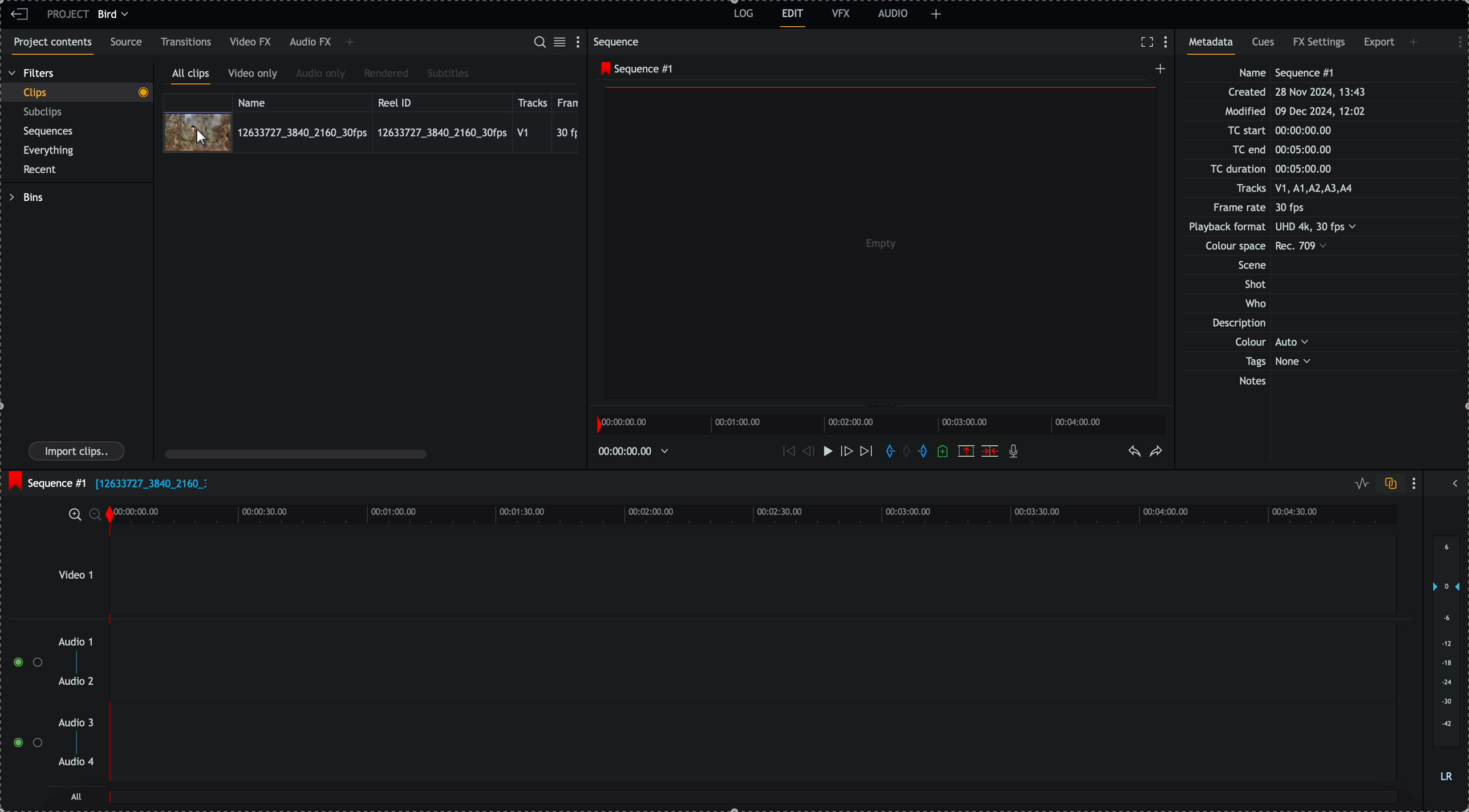  I want to click on move backward, so click(787, 453).